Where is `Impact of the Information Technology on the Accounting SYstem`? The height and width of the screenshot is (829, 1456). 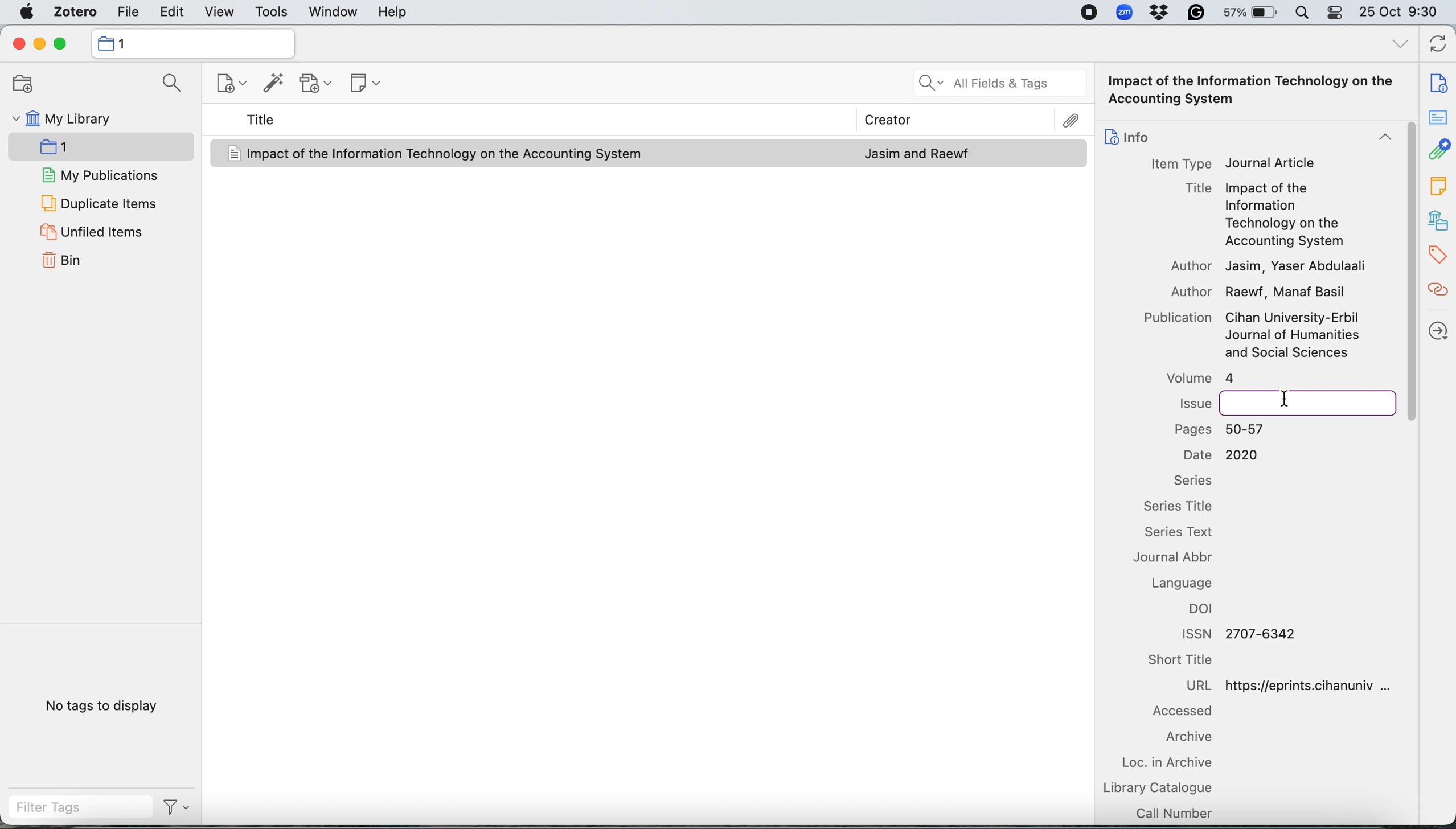 Impact of the Information Technology on the Accounting SYstem is located at coordinates (1256, 91).